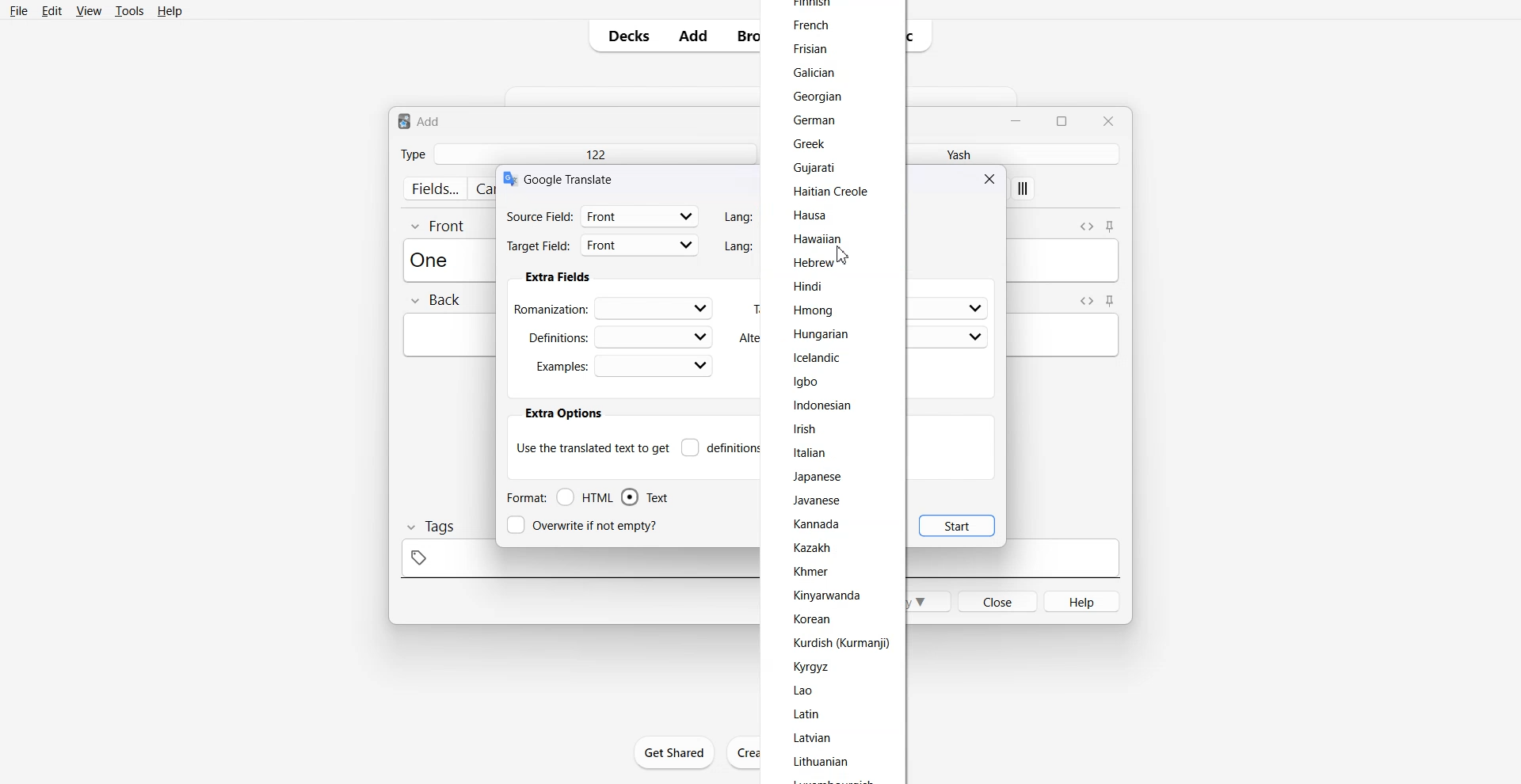 This screenshot has width=1521, height=784. I want to click on Help, so click(1083, 601).